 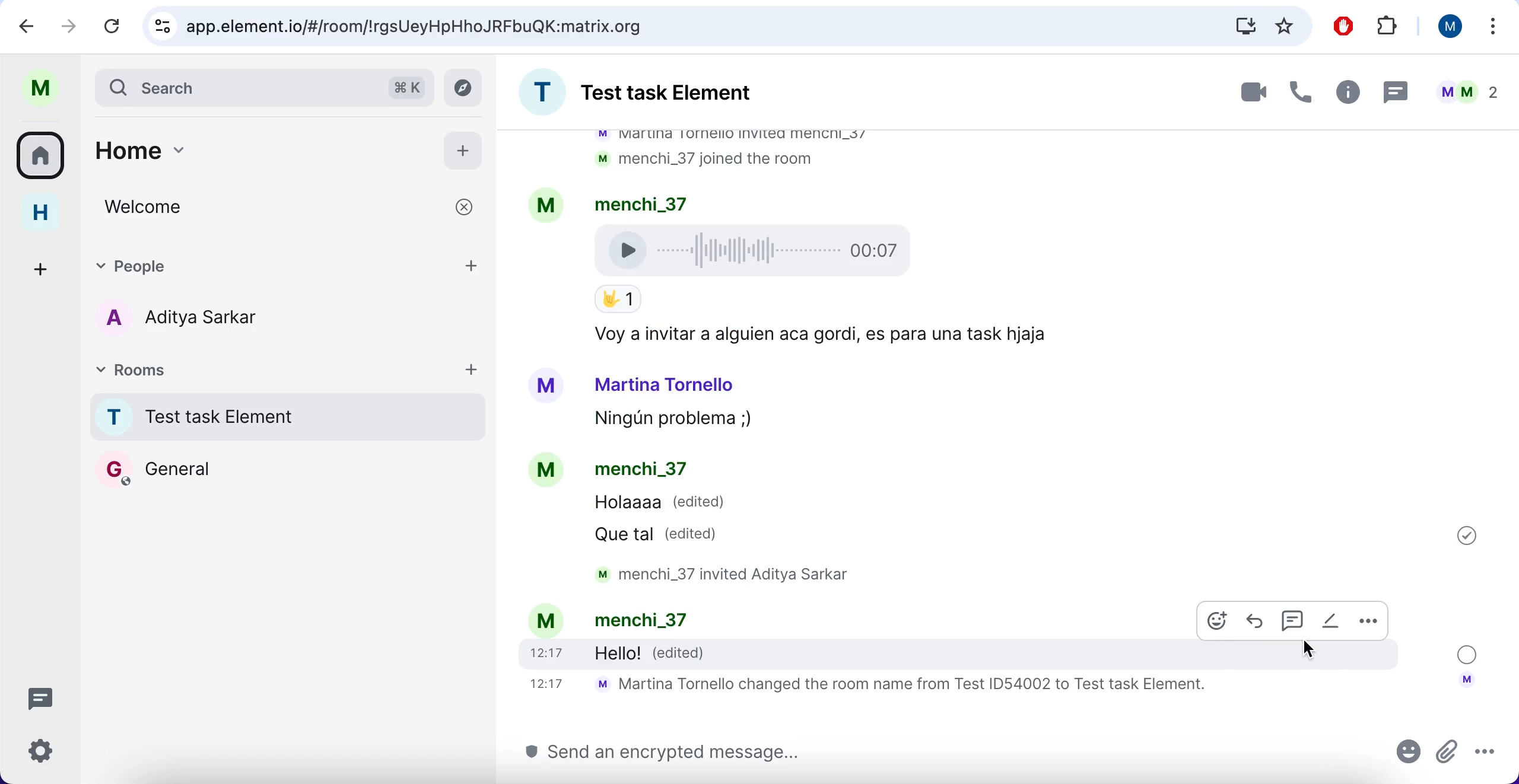 What do you see at coordinates (1466, 684) in the screenshot?
I see `account` at bounding box center [1466, 684].